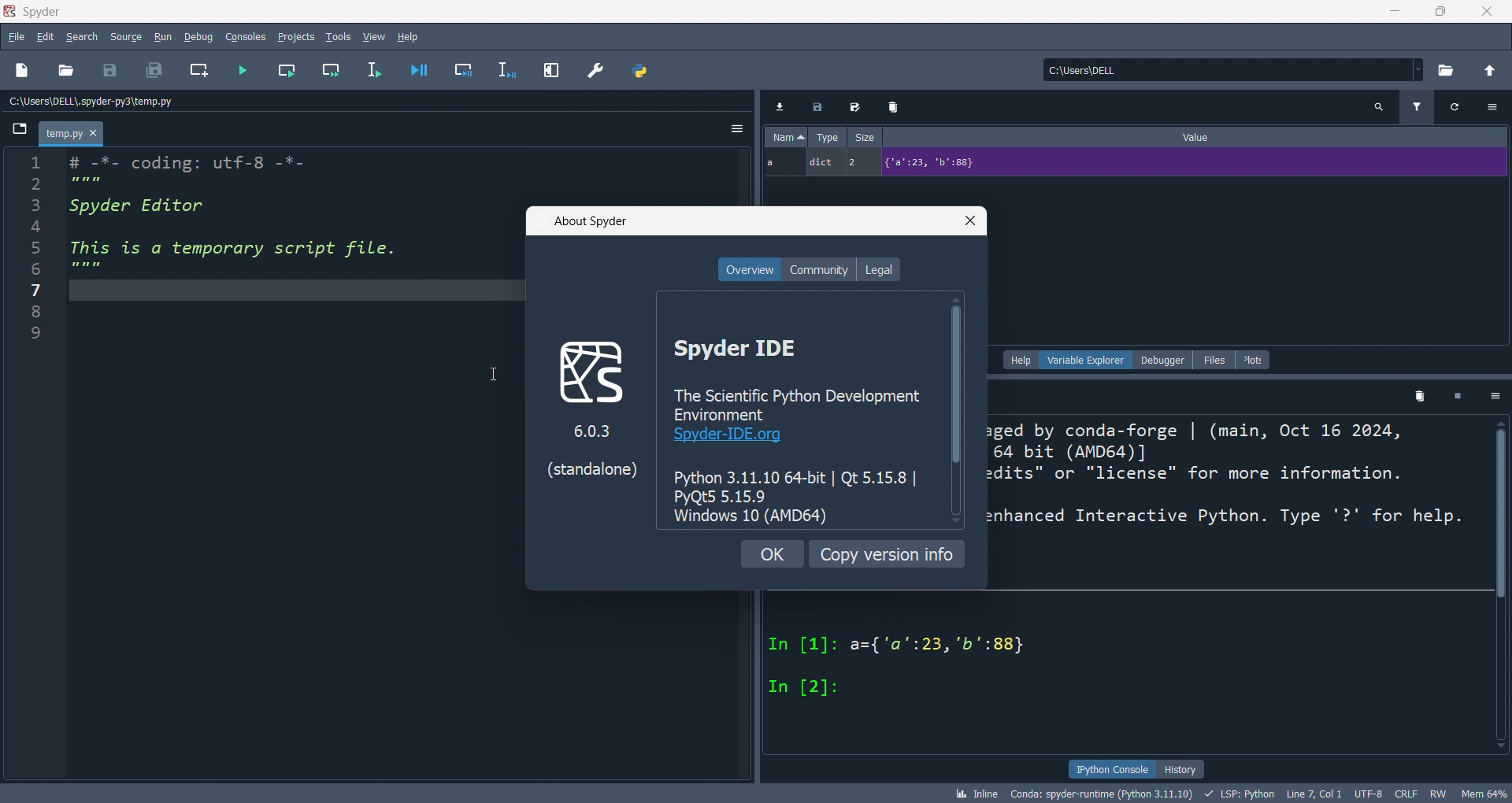  What do you see at coordinates (1492, 70) in the screenshot?
I see `open parent directory` at bounding box center [1492, 70].